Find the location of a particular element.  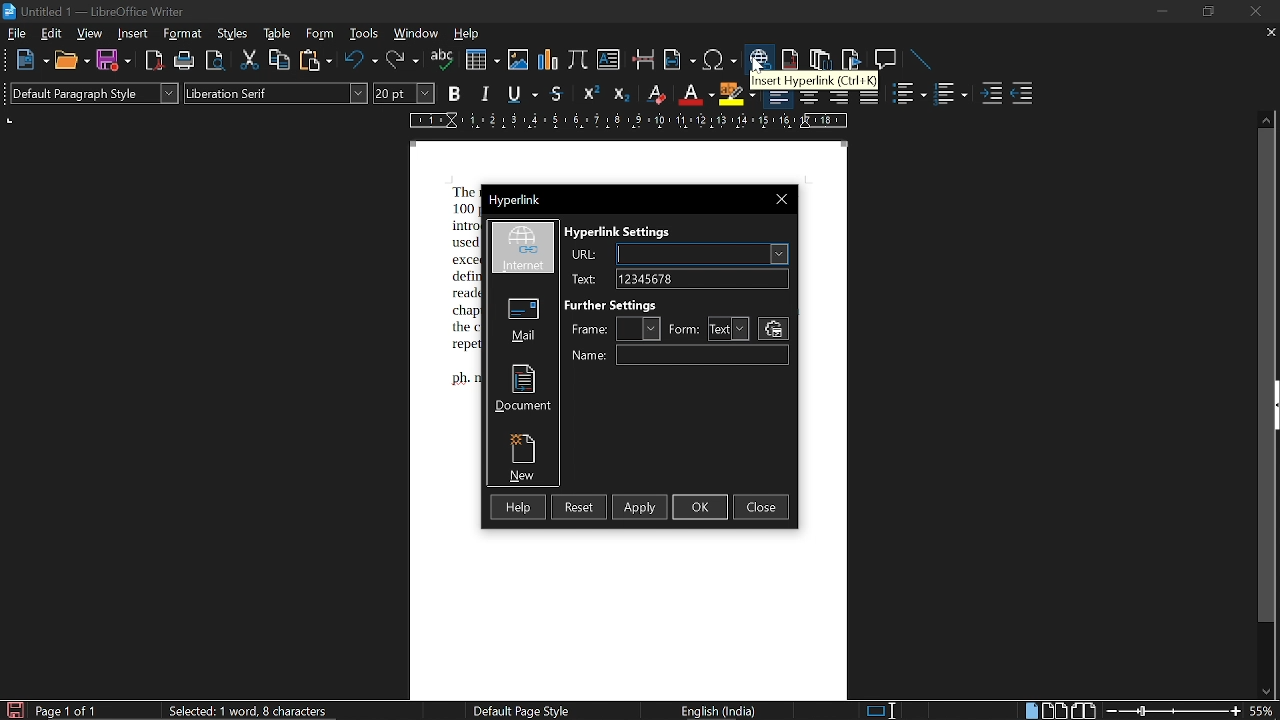

open is located at coordinates (72, 60).